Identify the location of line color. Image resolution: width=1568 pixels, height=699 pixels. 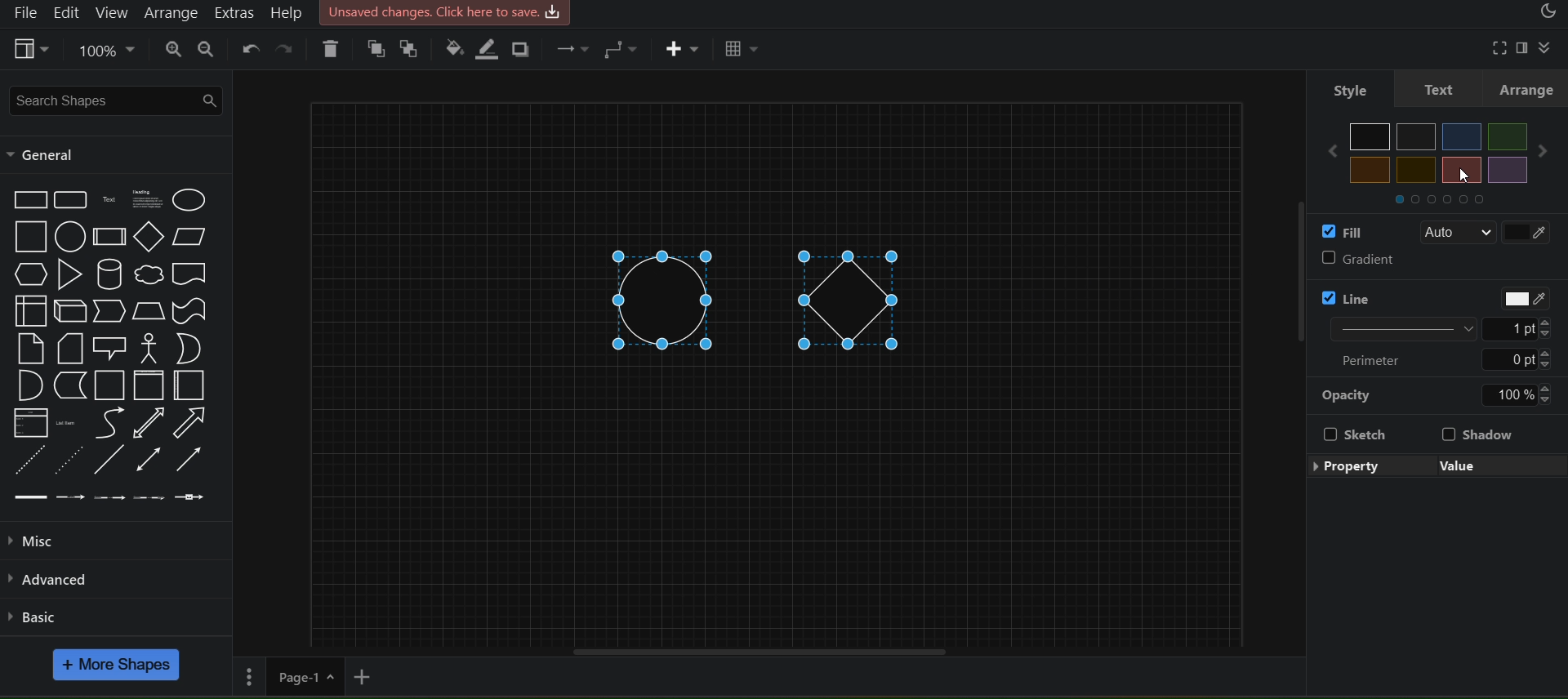
(490, 49).